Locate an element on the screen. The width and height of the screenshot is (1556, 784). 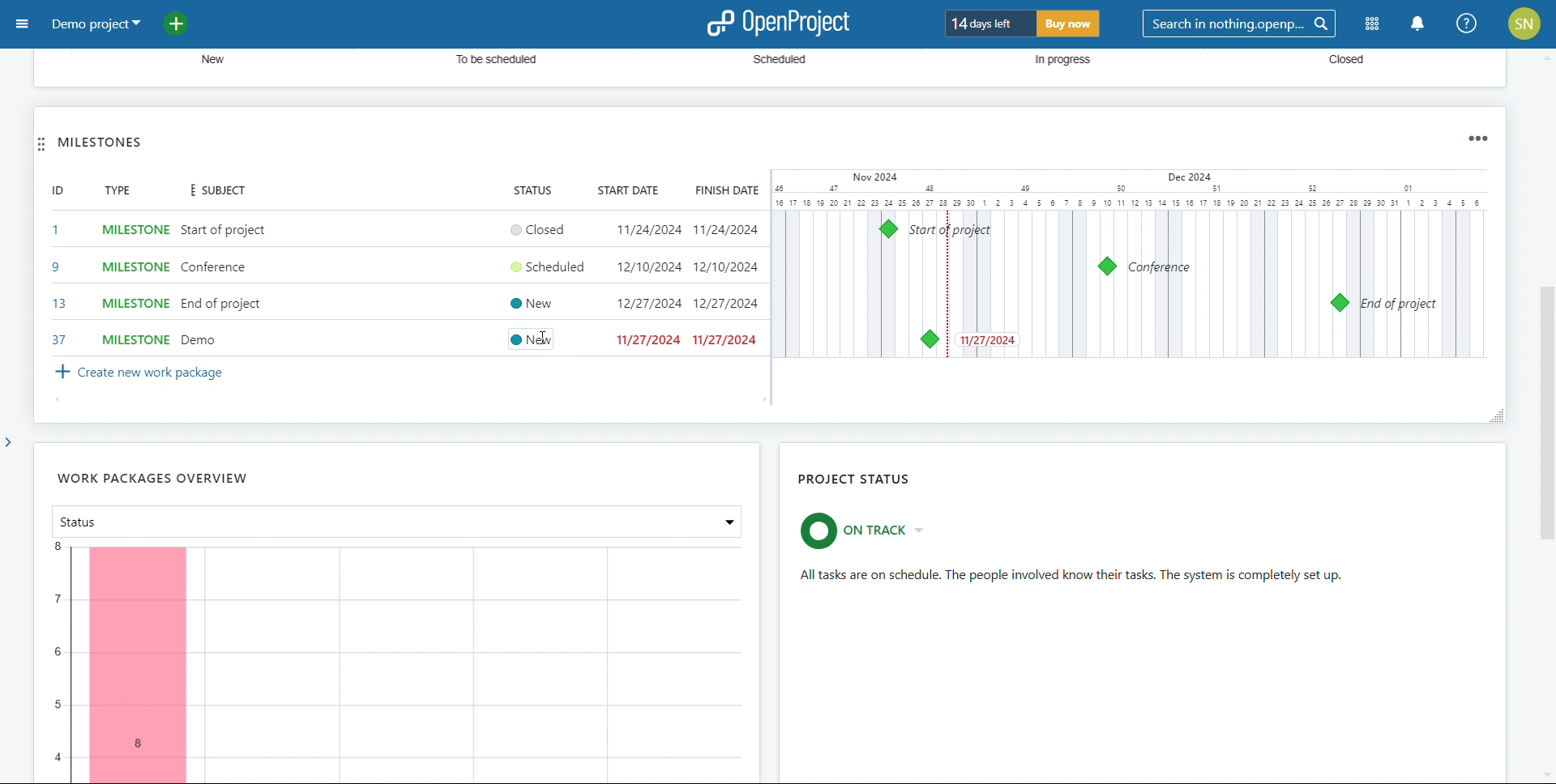
scroll bar is located at coordinates (1546, 431).